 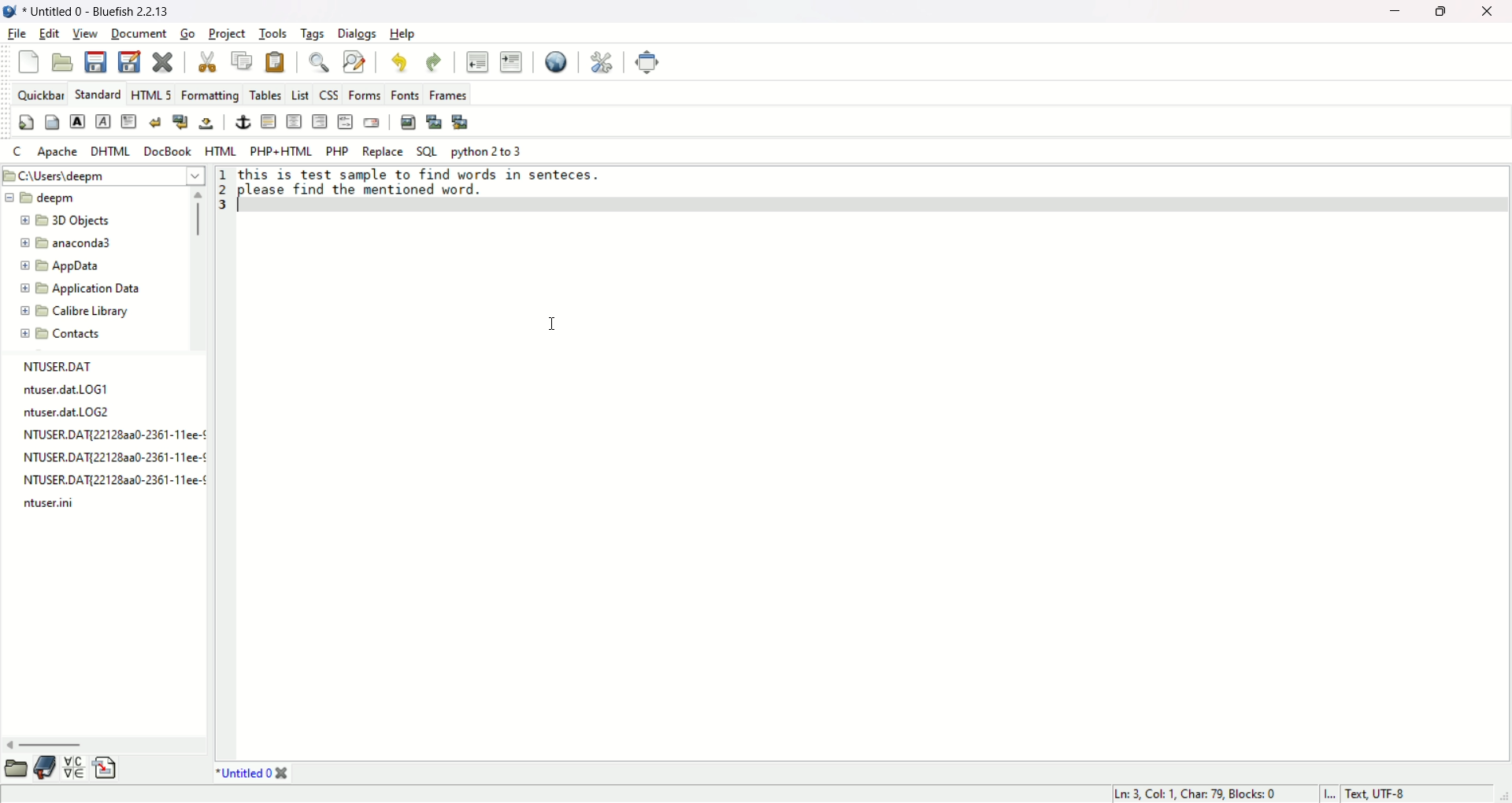 What do you see at coordinates (407, 122) in the screenshot?
I see `insert image` at bounding box center [407, 122].